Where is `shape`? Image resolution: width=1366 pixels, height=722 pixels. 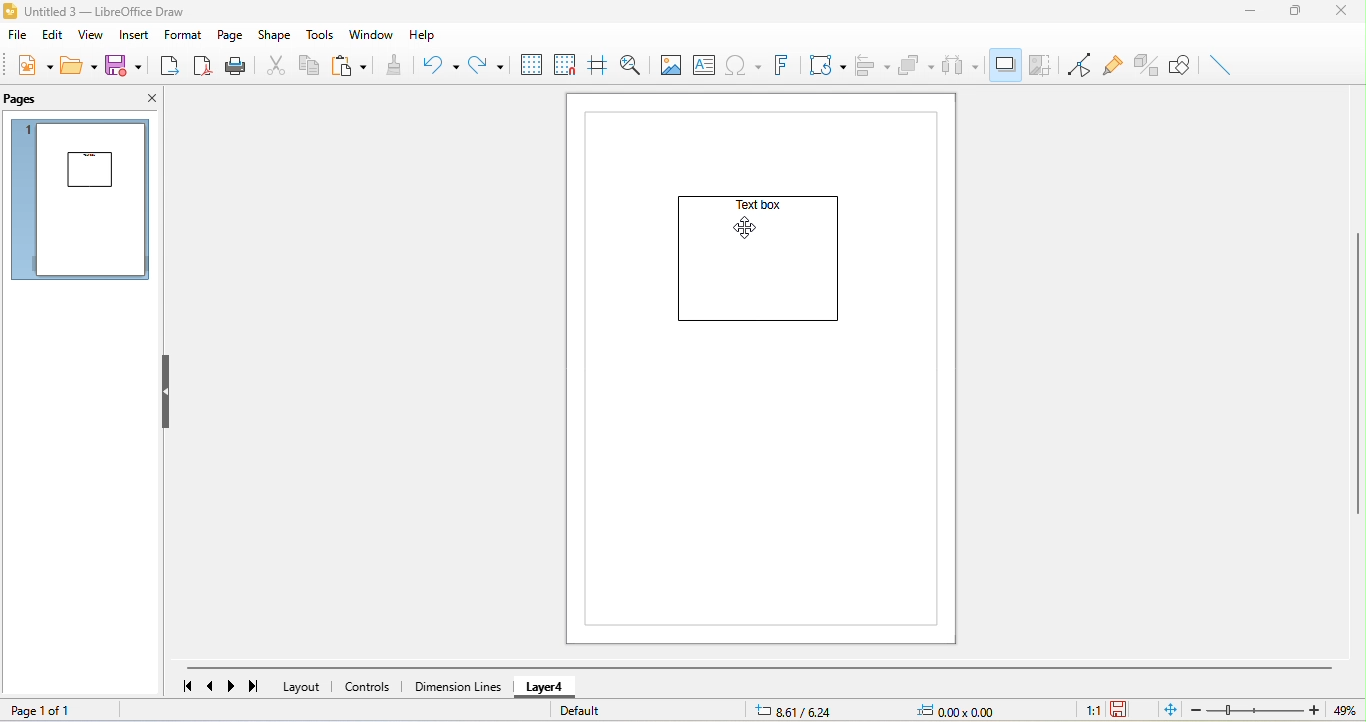
shape is located at coordinates (273, 33).